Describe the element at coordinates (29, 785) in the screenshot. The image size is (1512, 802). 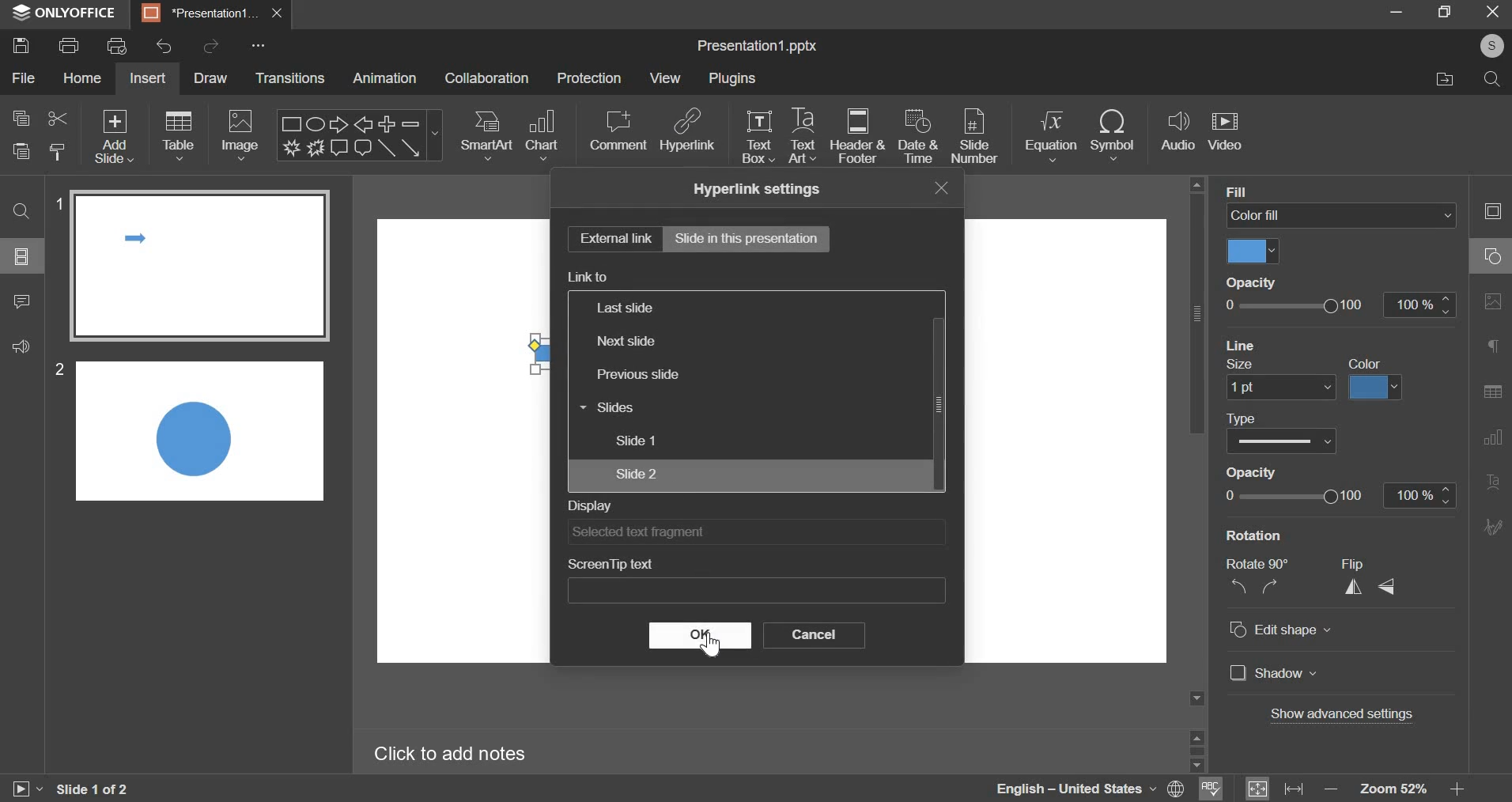
I see `start slideshow` at that location.